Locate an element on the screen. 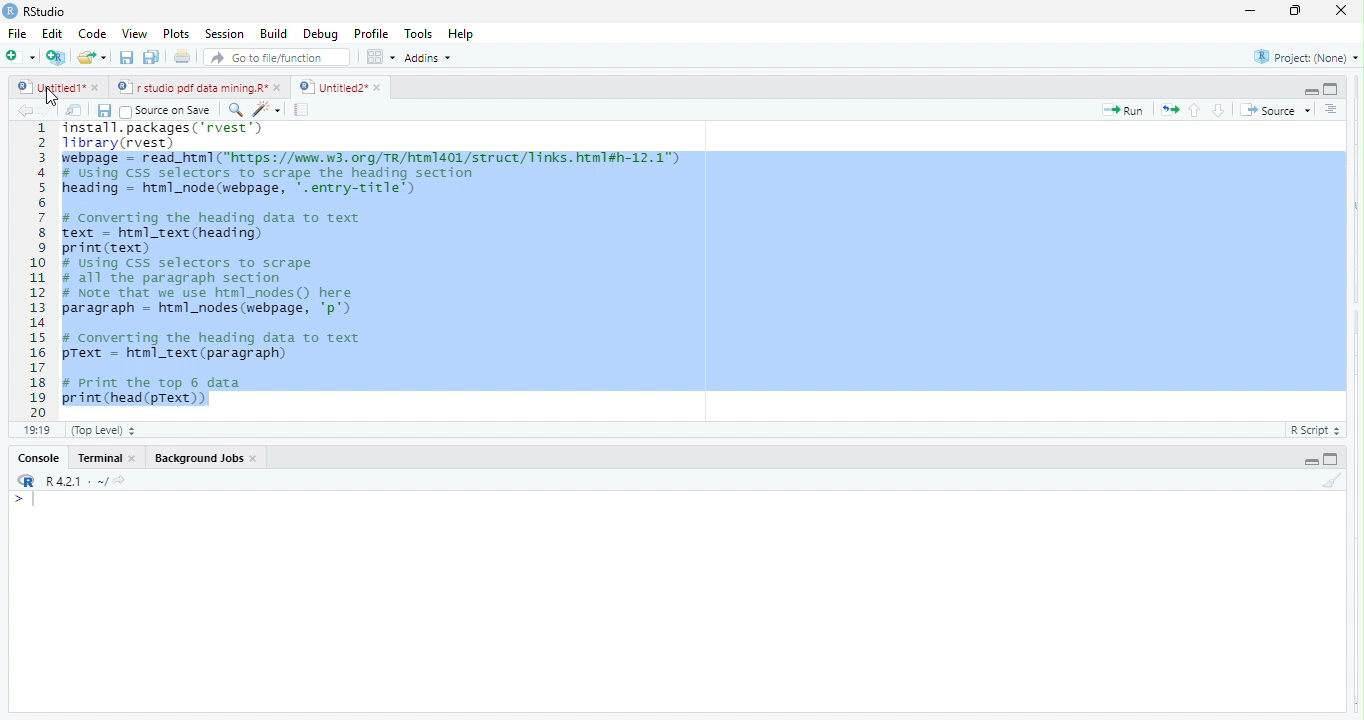 The image size is (1364, 720). hide r script is located at coordinates (1310, 461).